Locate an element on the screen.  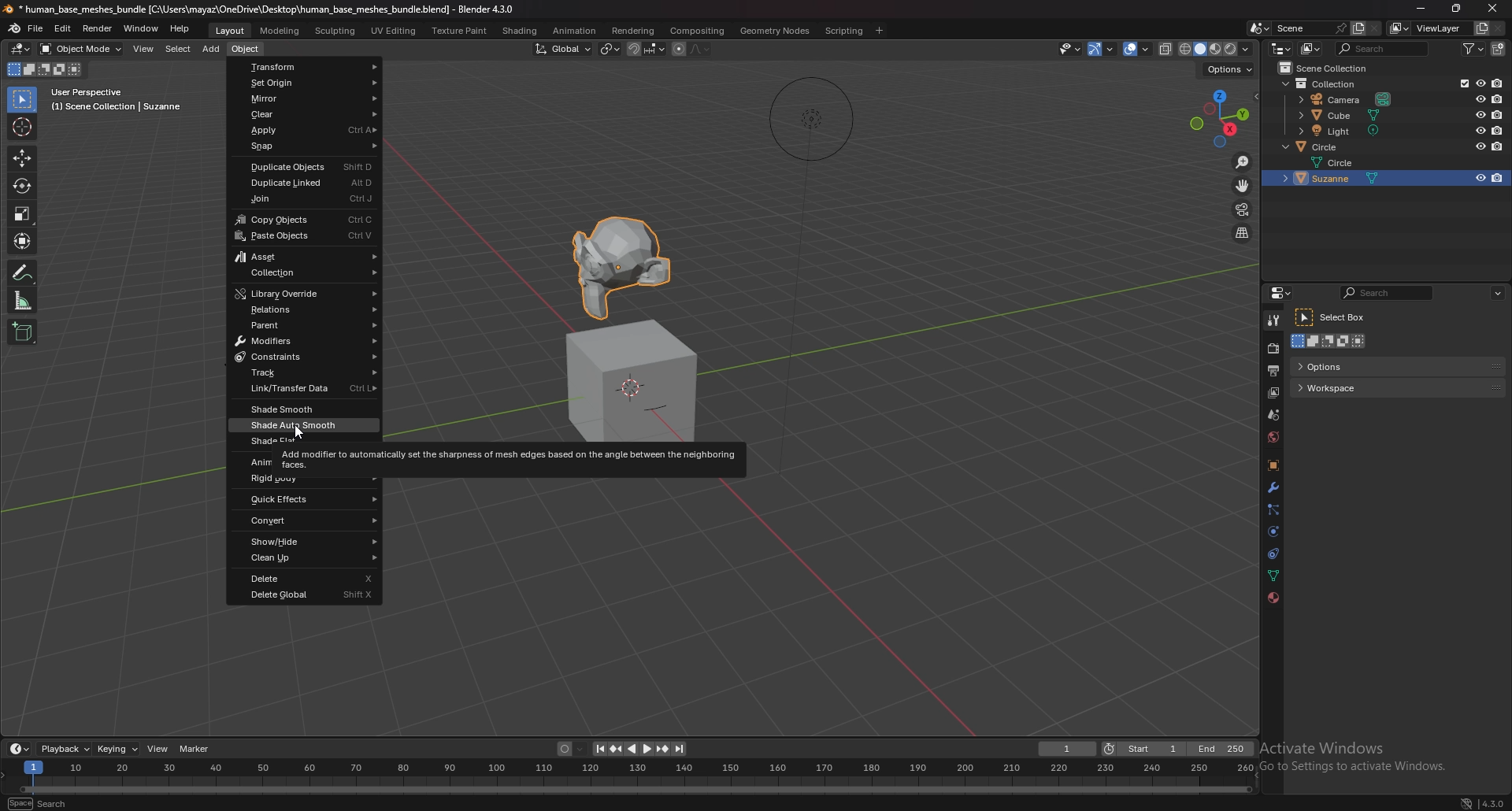
render is located at coordinates (97, 28).